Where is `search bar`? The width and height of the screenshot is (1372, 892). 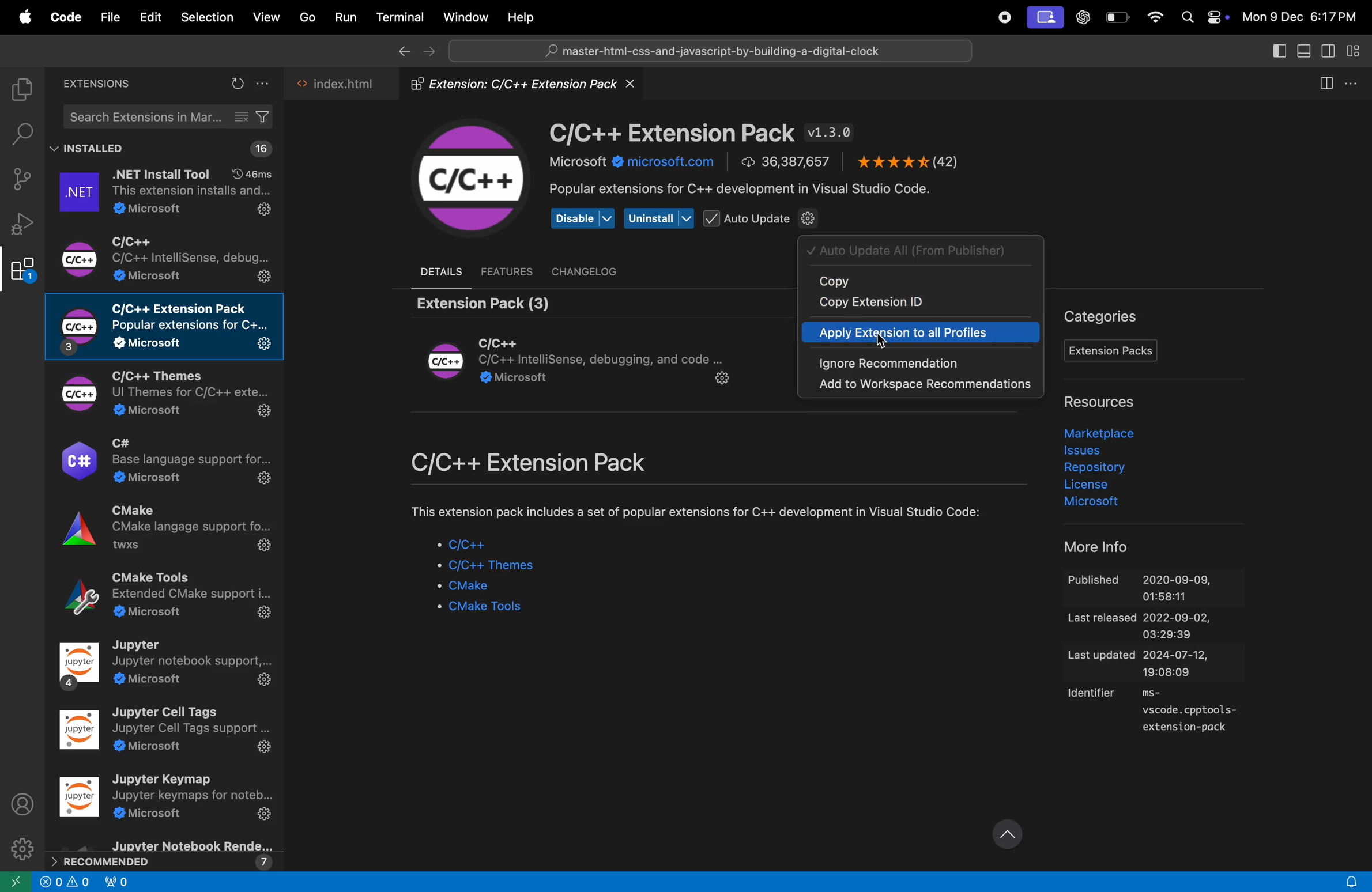 search bar is located at coordinates (710, 50).